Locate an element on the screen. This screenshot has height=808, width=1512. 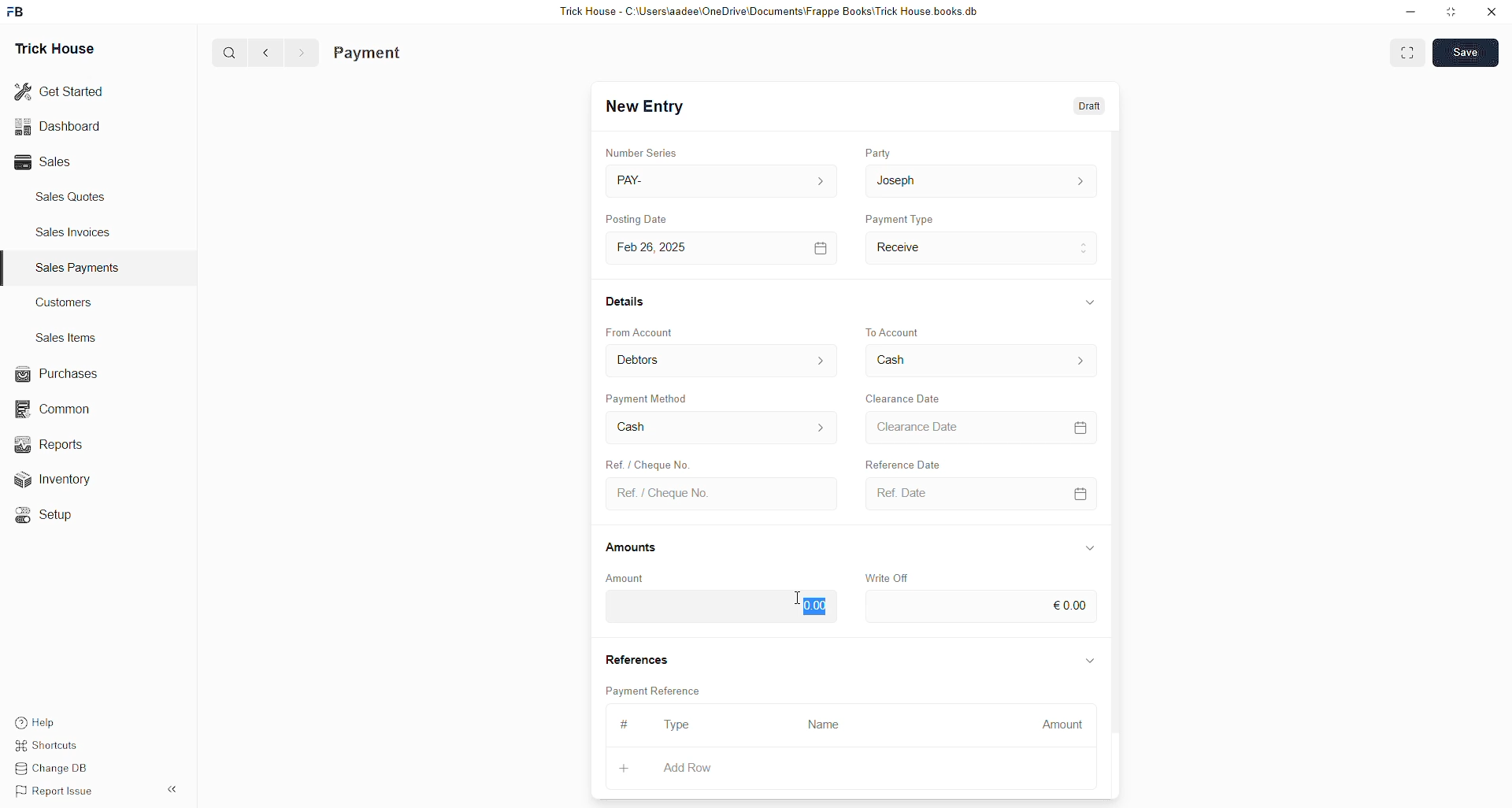
Change DB is located at coordinates (57, 767).